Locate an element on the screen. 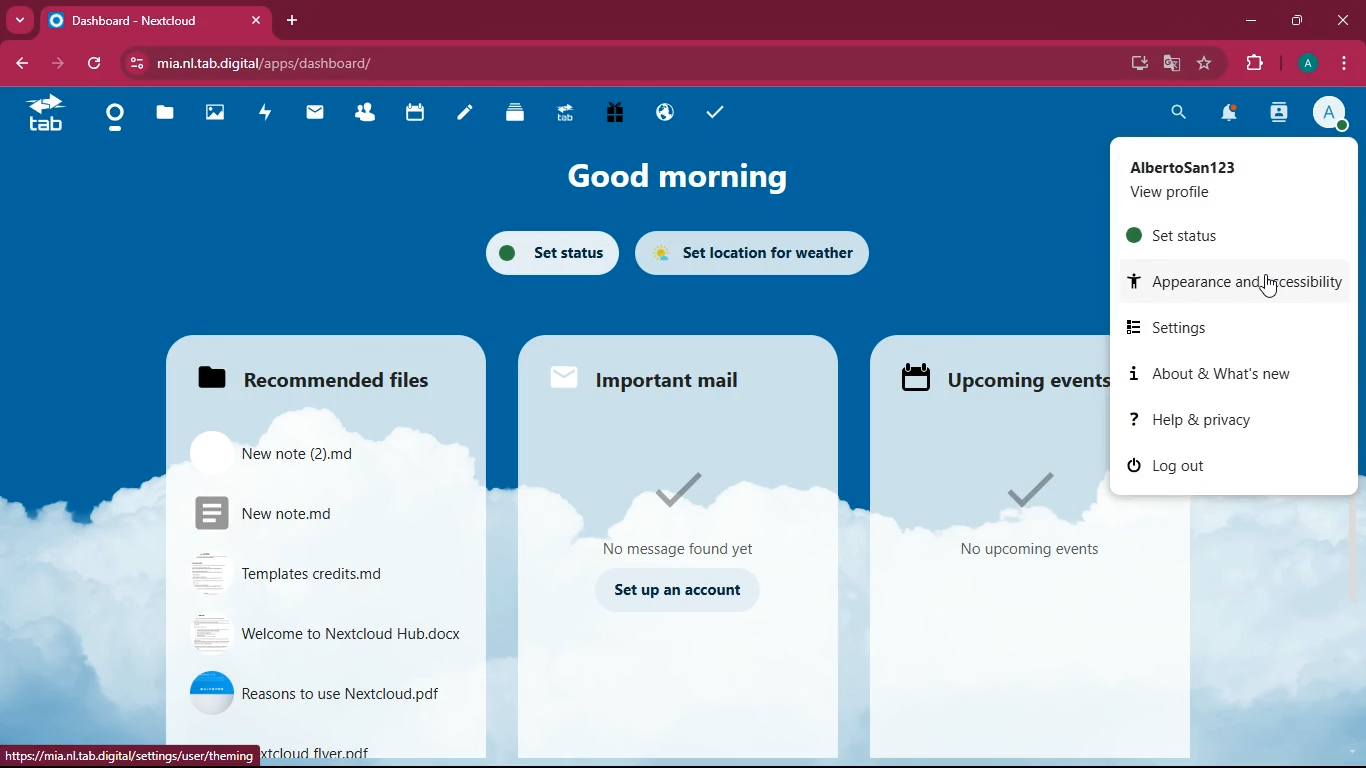 Image resolution: width=1366 pixels, height=768 pixels. view site information is located at coordinates (139, 64).